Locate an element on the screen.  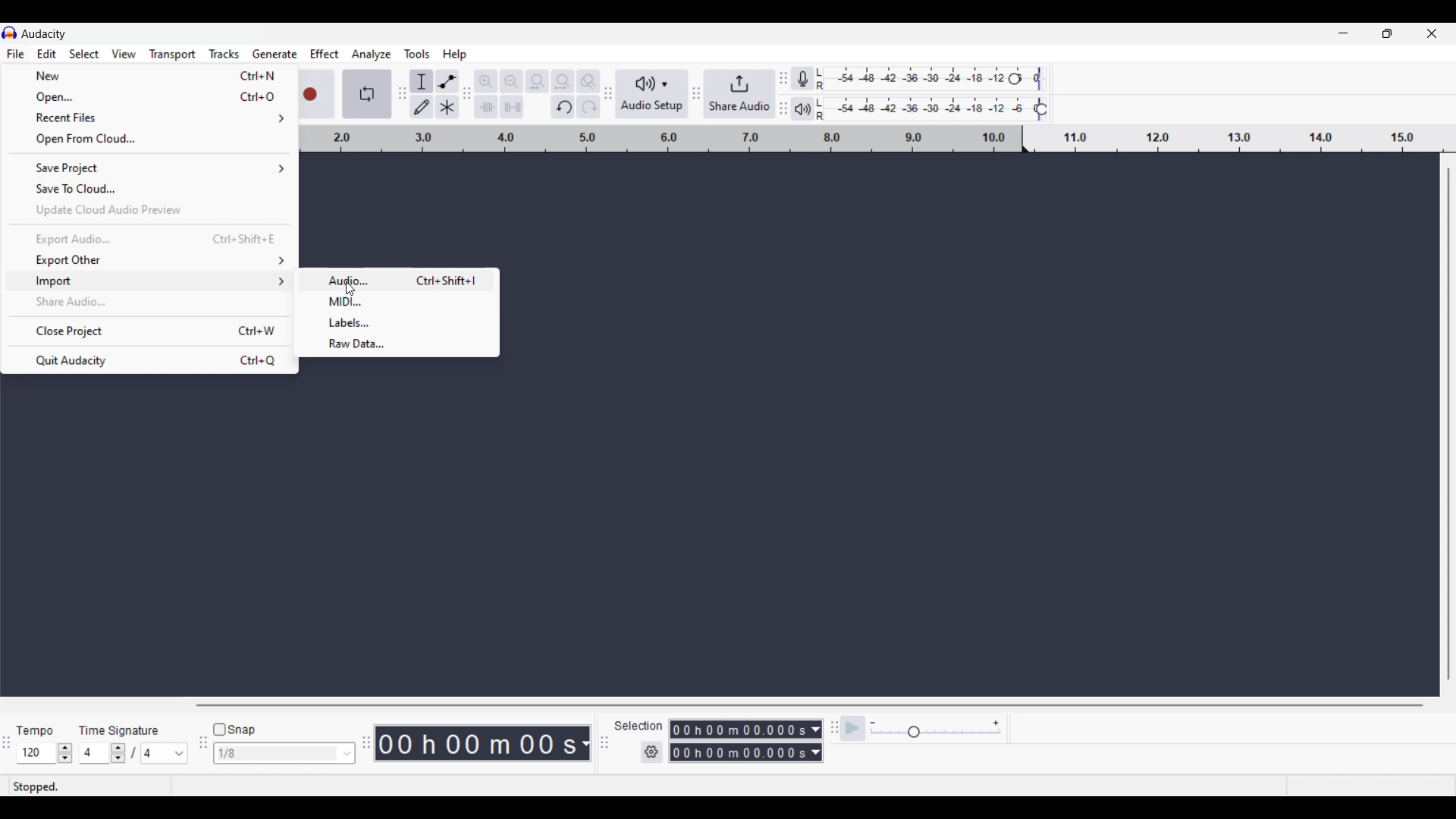
Share audio is located at coordinates (148, 302).